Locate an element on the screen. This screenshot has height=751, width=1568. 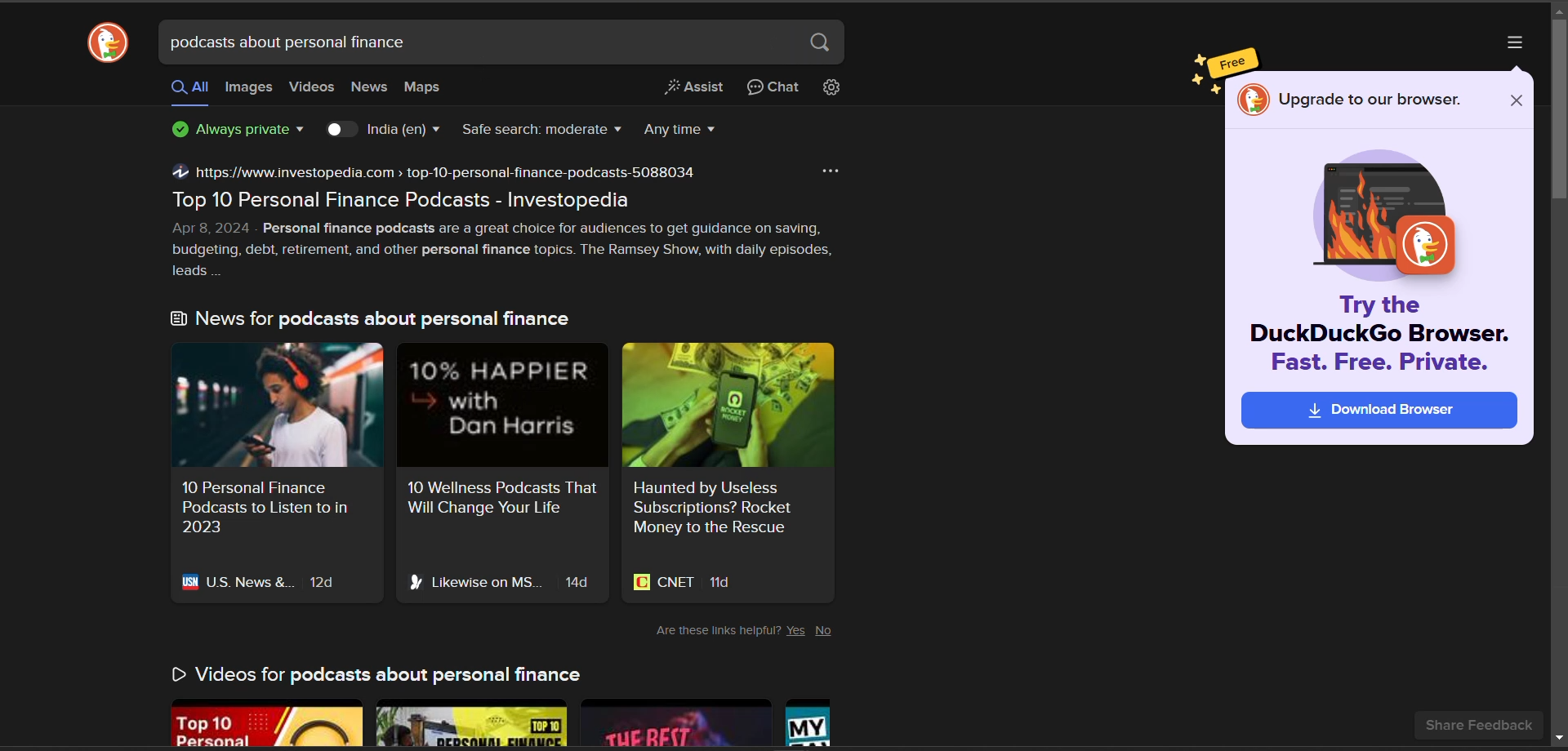
results timeline filter is located at coordinates (686, 131).